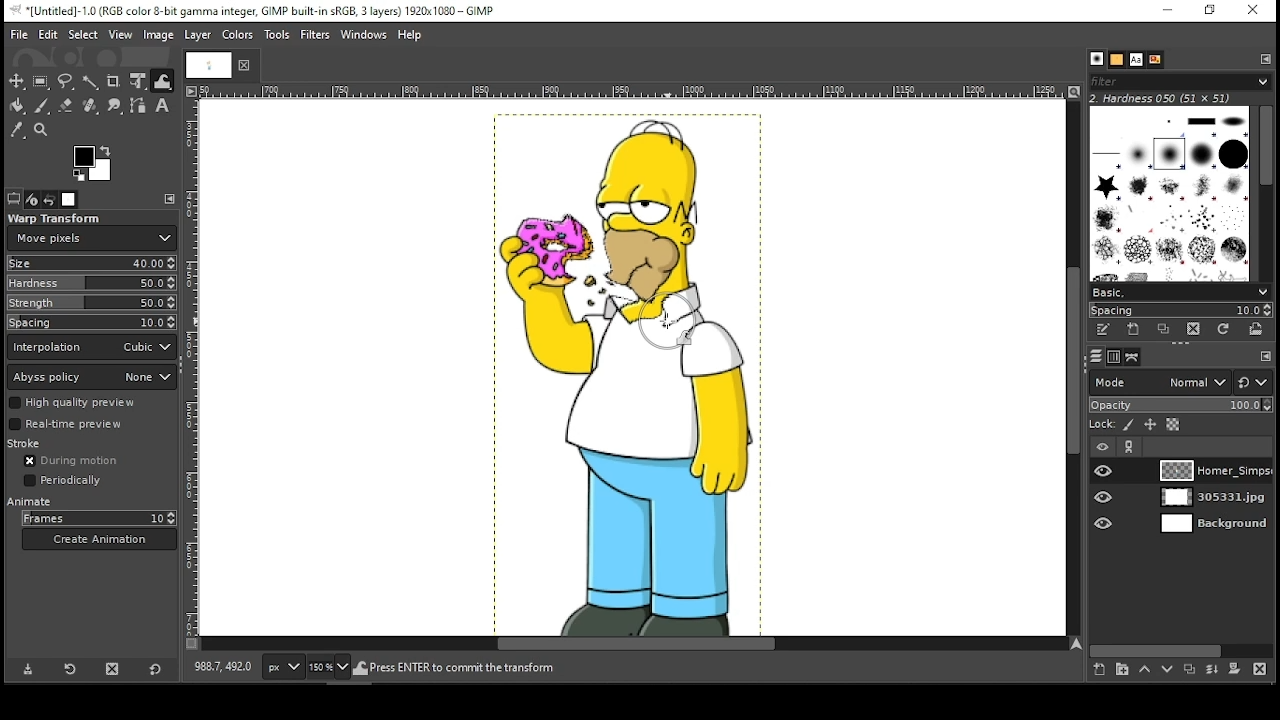  What do you see at coordinates (16, 80) in the screenshot?
I see `move tool` at bounding box center [16, 80].